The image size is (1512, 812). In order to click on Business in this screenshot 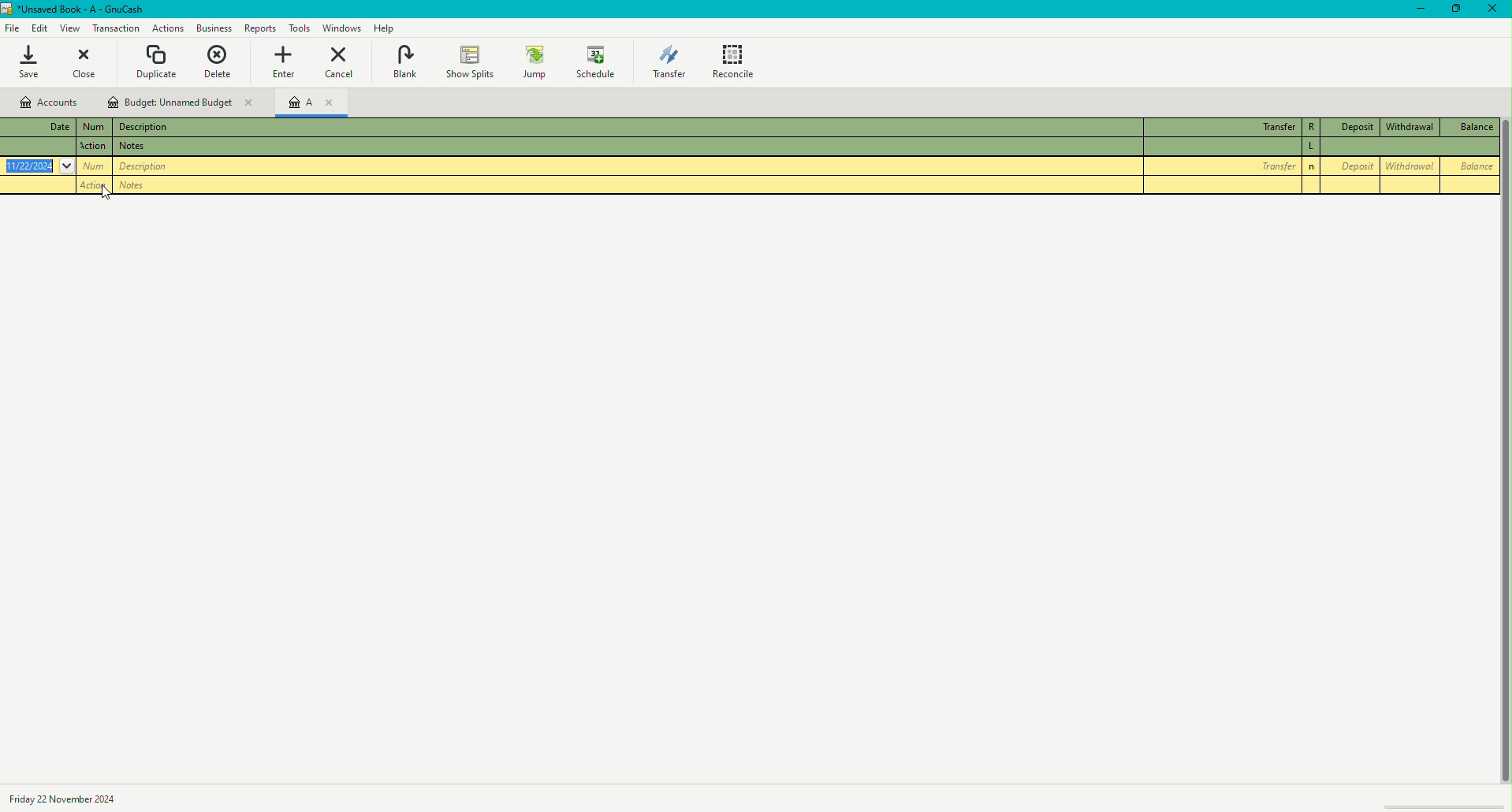, I will do `click(166, 28)`.